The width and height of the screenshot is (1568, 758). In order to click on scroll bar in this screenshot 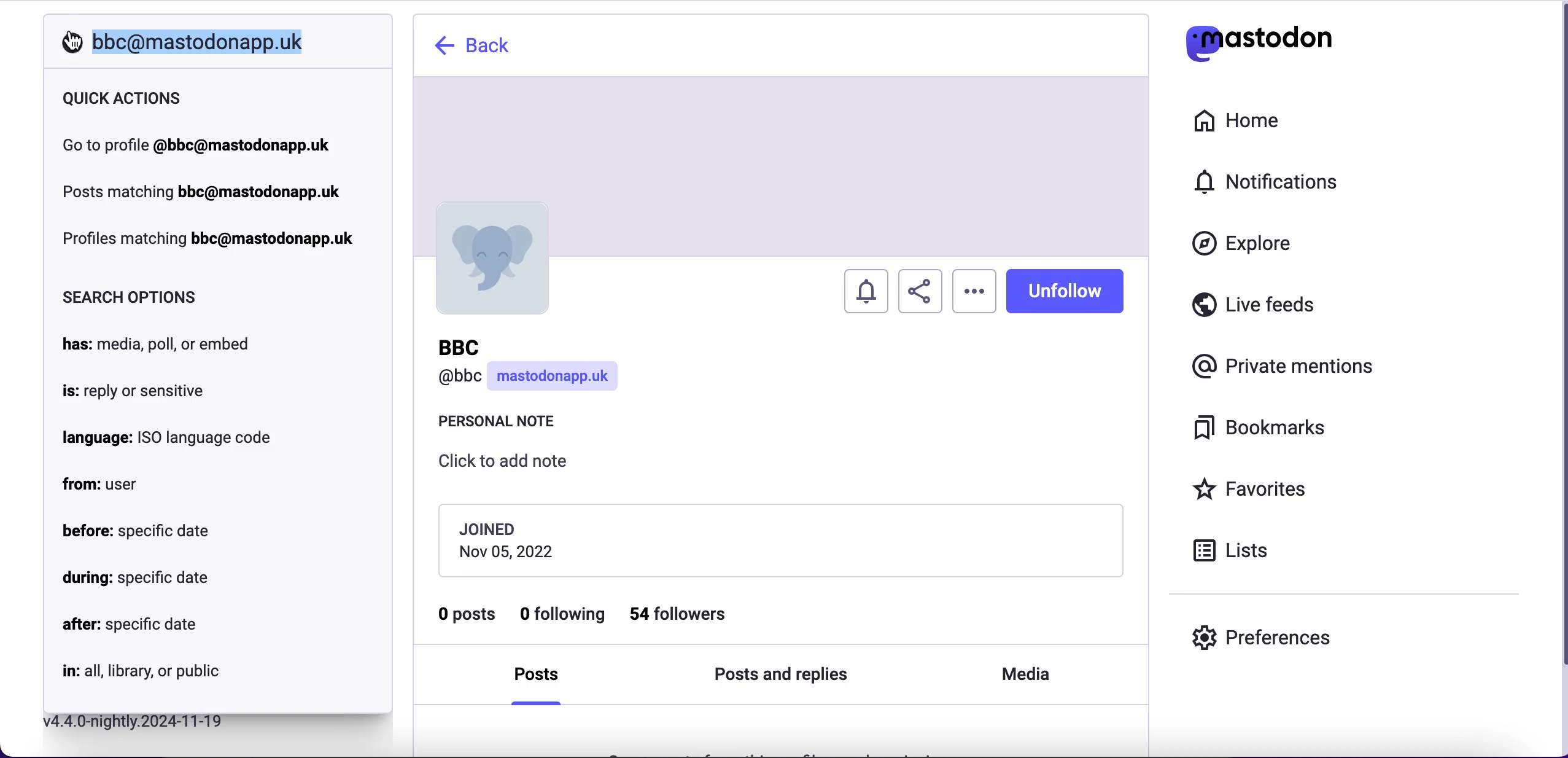, I will do `click(1559, 379)`.